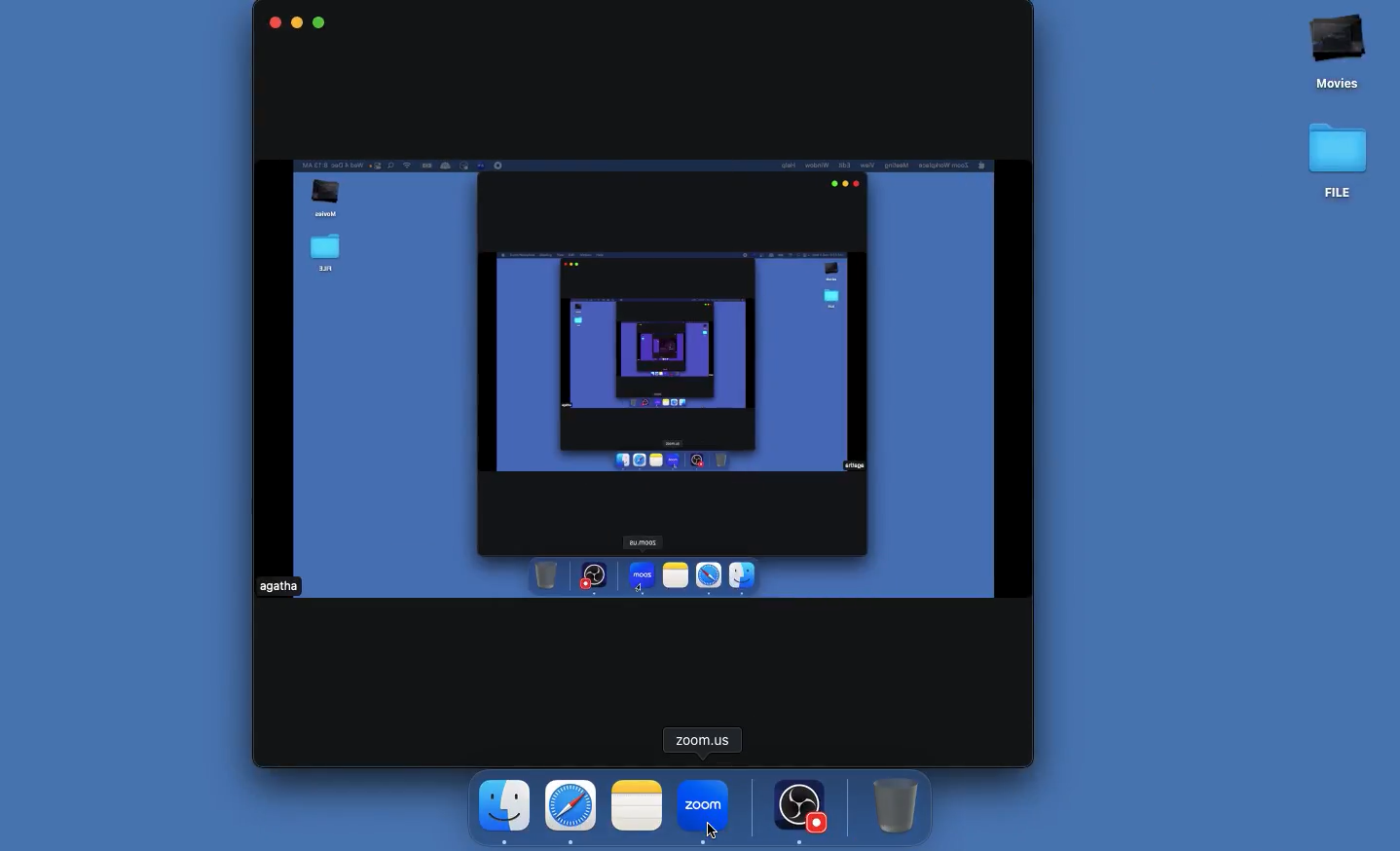 The width and height of the screenshot is (1400, 851). What do you see at coordinates (1329, 53) in the screenshot?
I see `movies` at bounding box center [1329, 53].